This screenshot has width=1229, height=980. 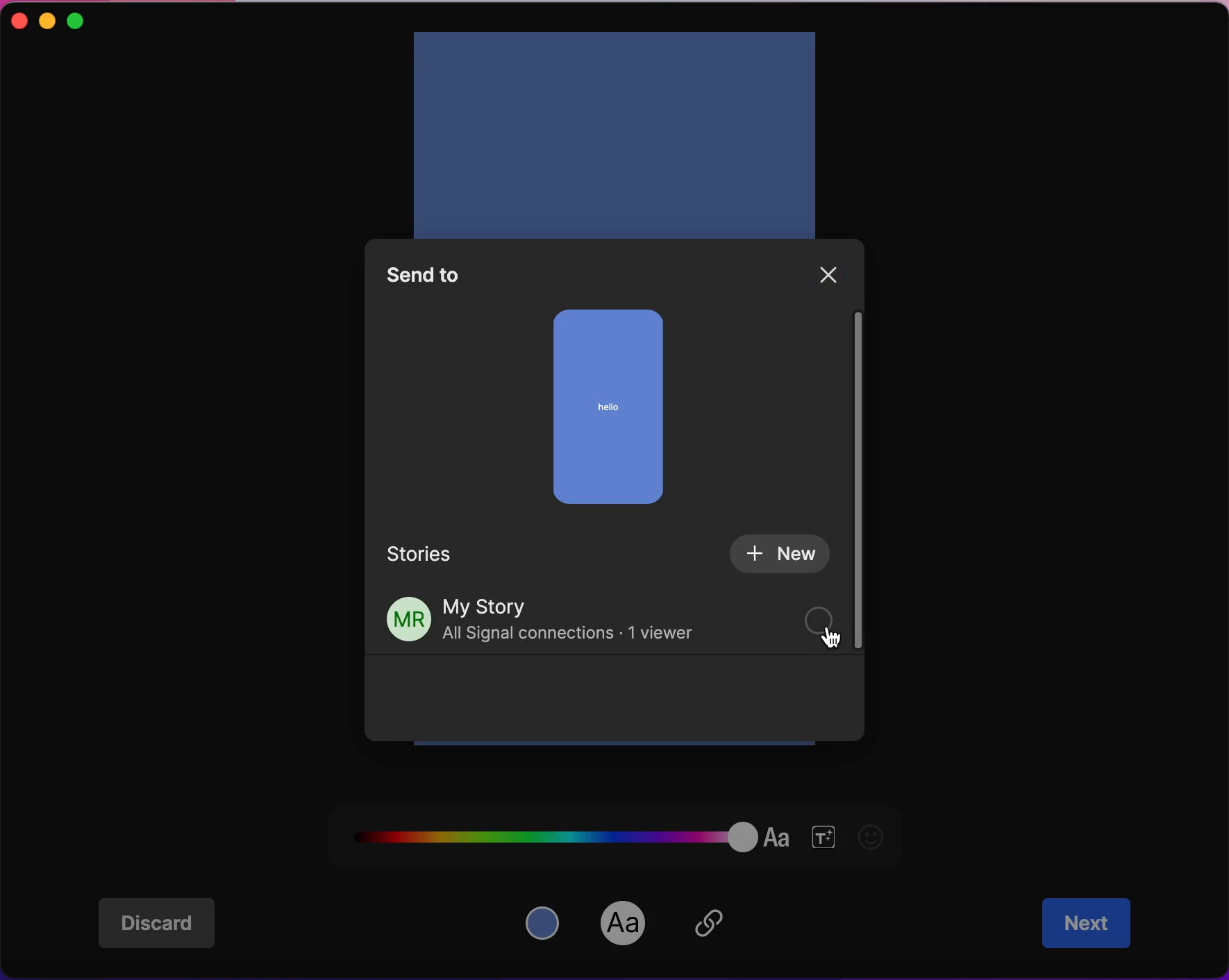 What do you see at coordinates (570, 636) in the screenshot?
I see `All Signal connections - 1 viewer` at bounding box center [570, 636].